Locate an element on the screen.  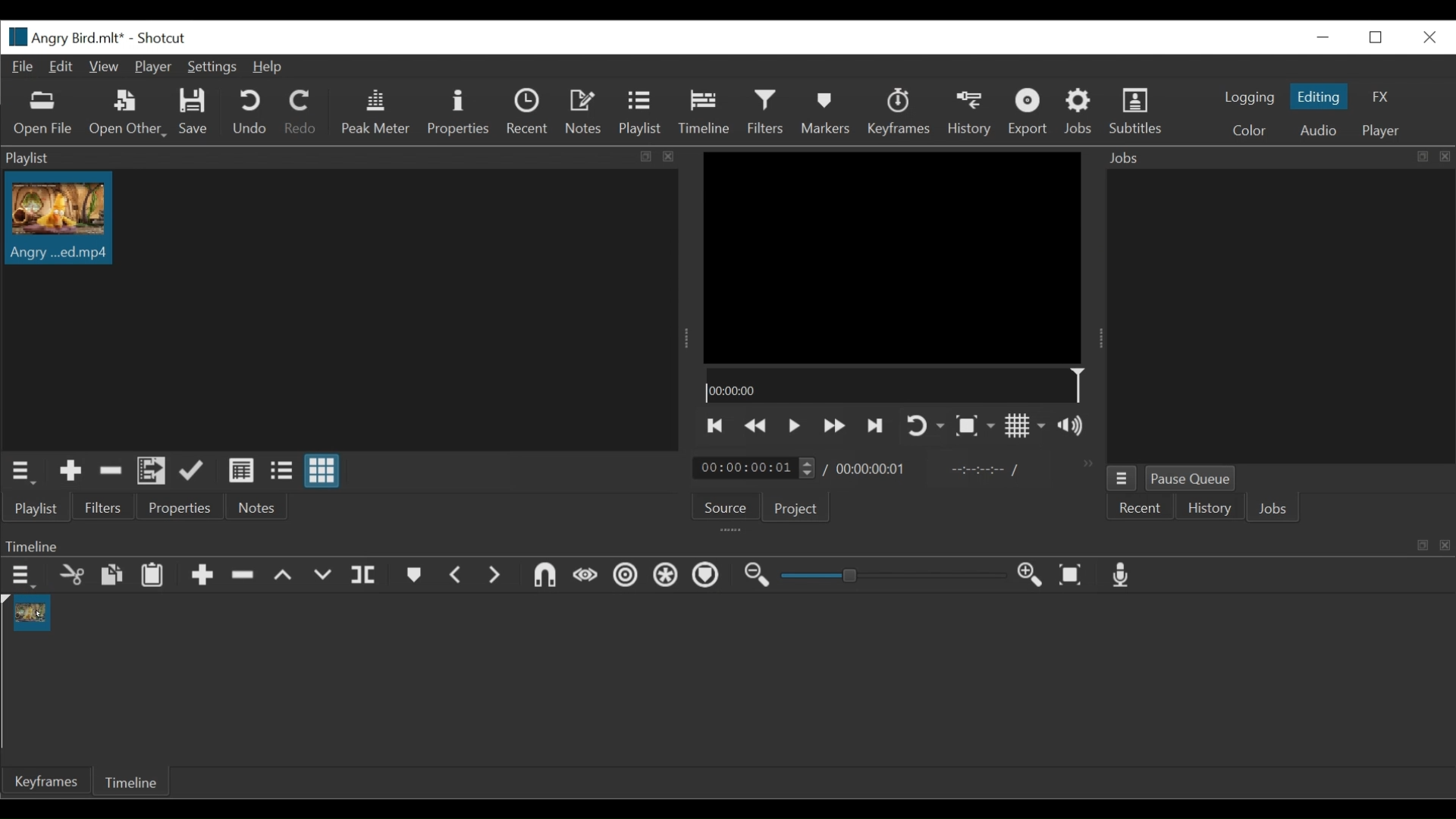
Properties is located at coordinates (462, 113).